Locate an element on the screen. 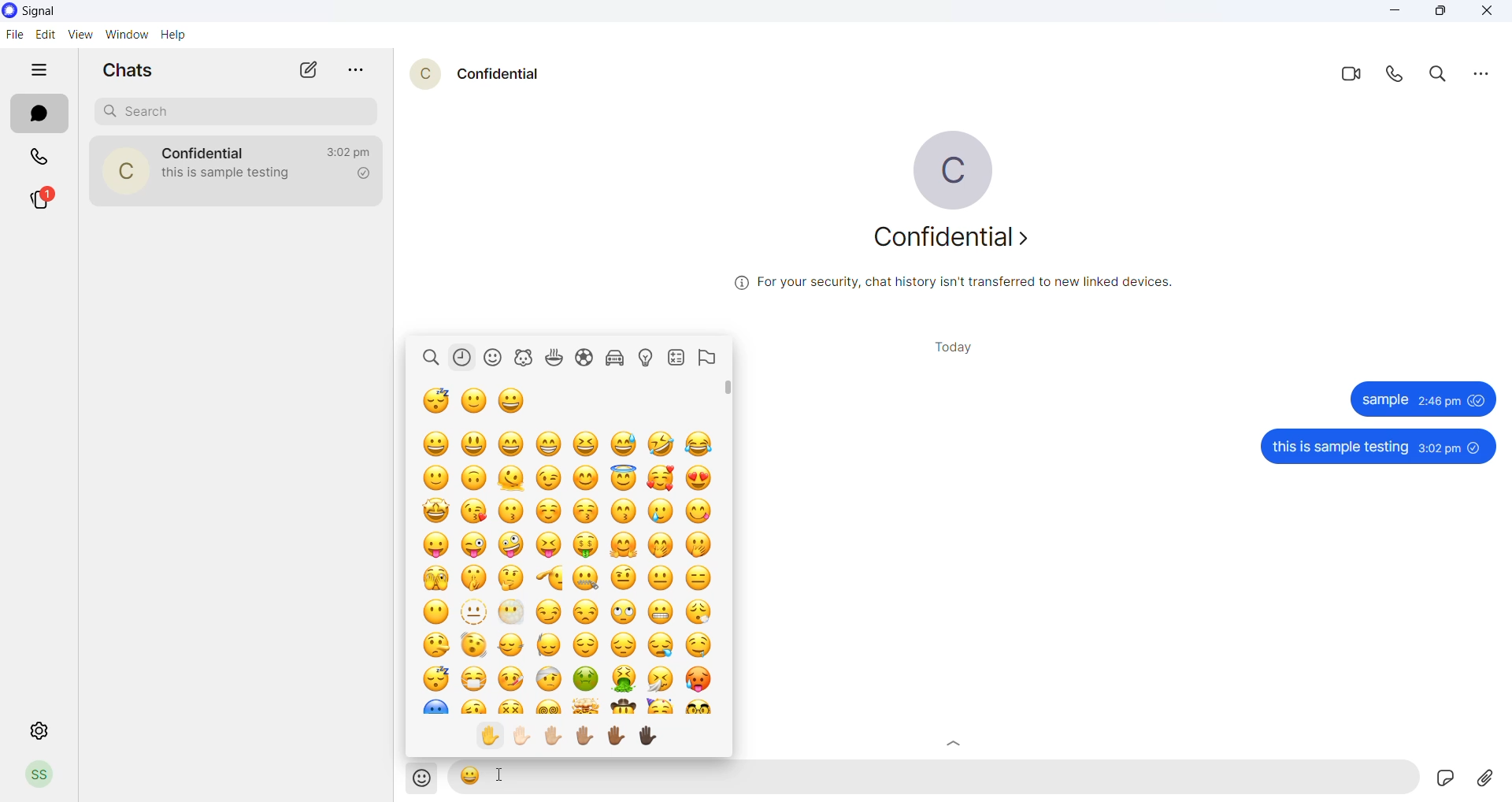 This screenshot has width=1512, height=802. today title is located at coordinates (957, 347).